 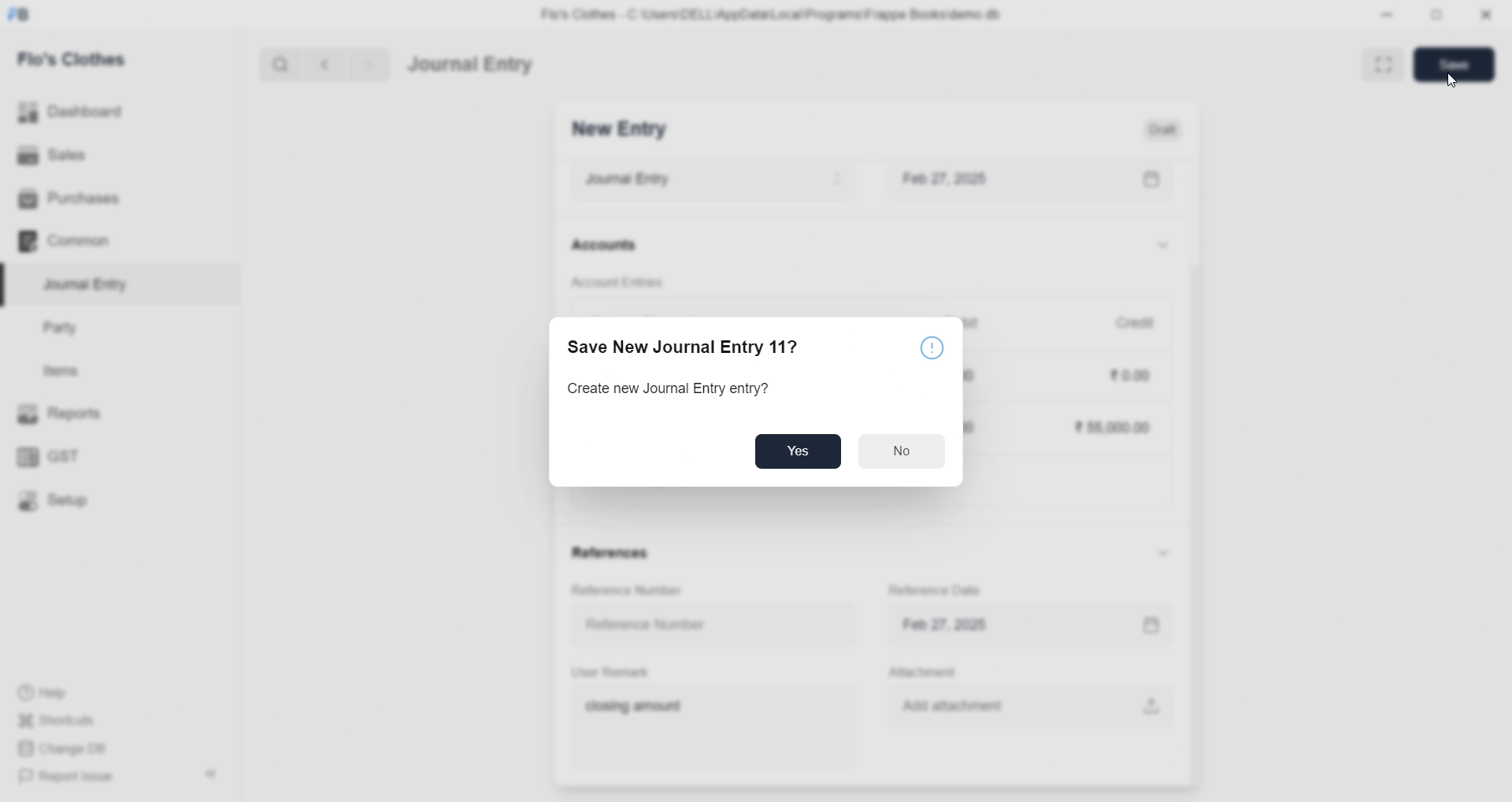 What do you see at coordinates (798, 451) in the screenshot?
I see `Yes` at bounding box center [798, 451].